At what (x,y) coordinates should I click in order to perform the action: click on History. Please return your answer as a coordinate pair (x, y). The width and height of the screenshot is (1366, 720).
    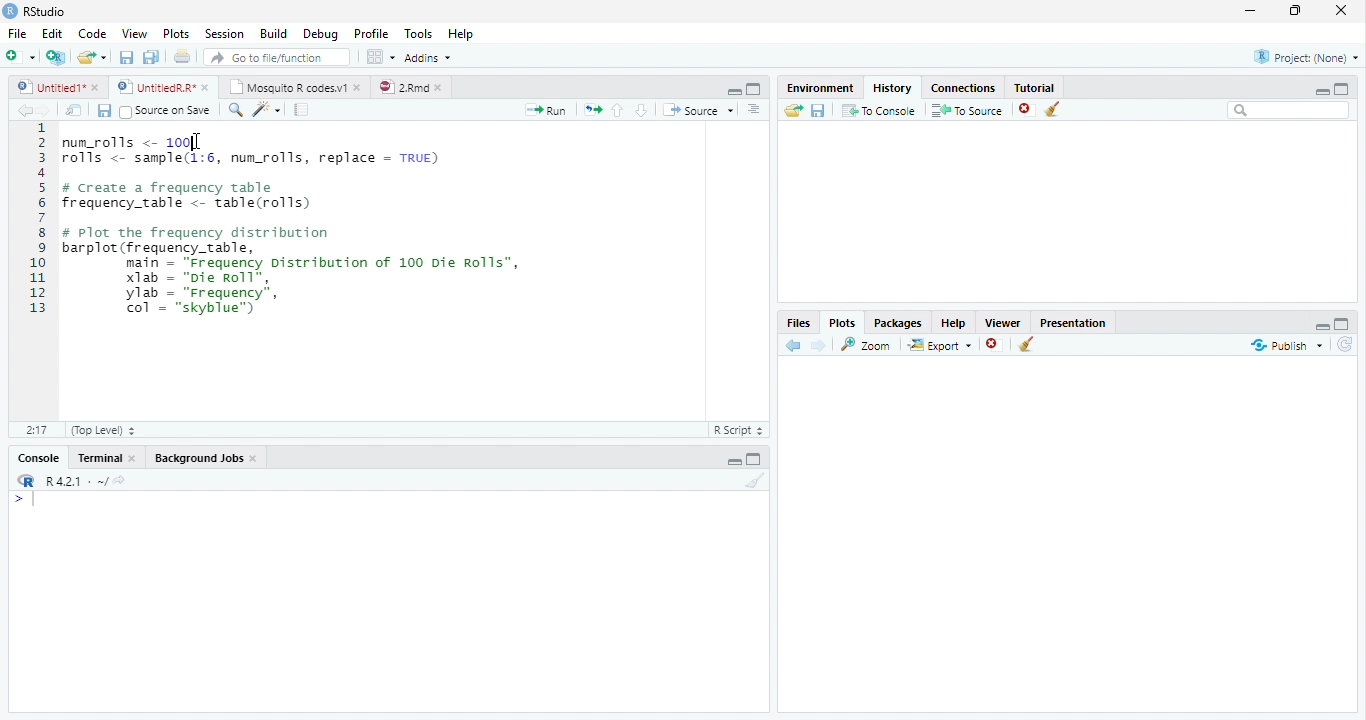
    Looking at the image, I should click on (893, 86).